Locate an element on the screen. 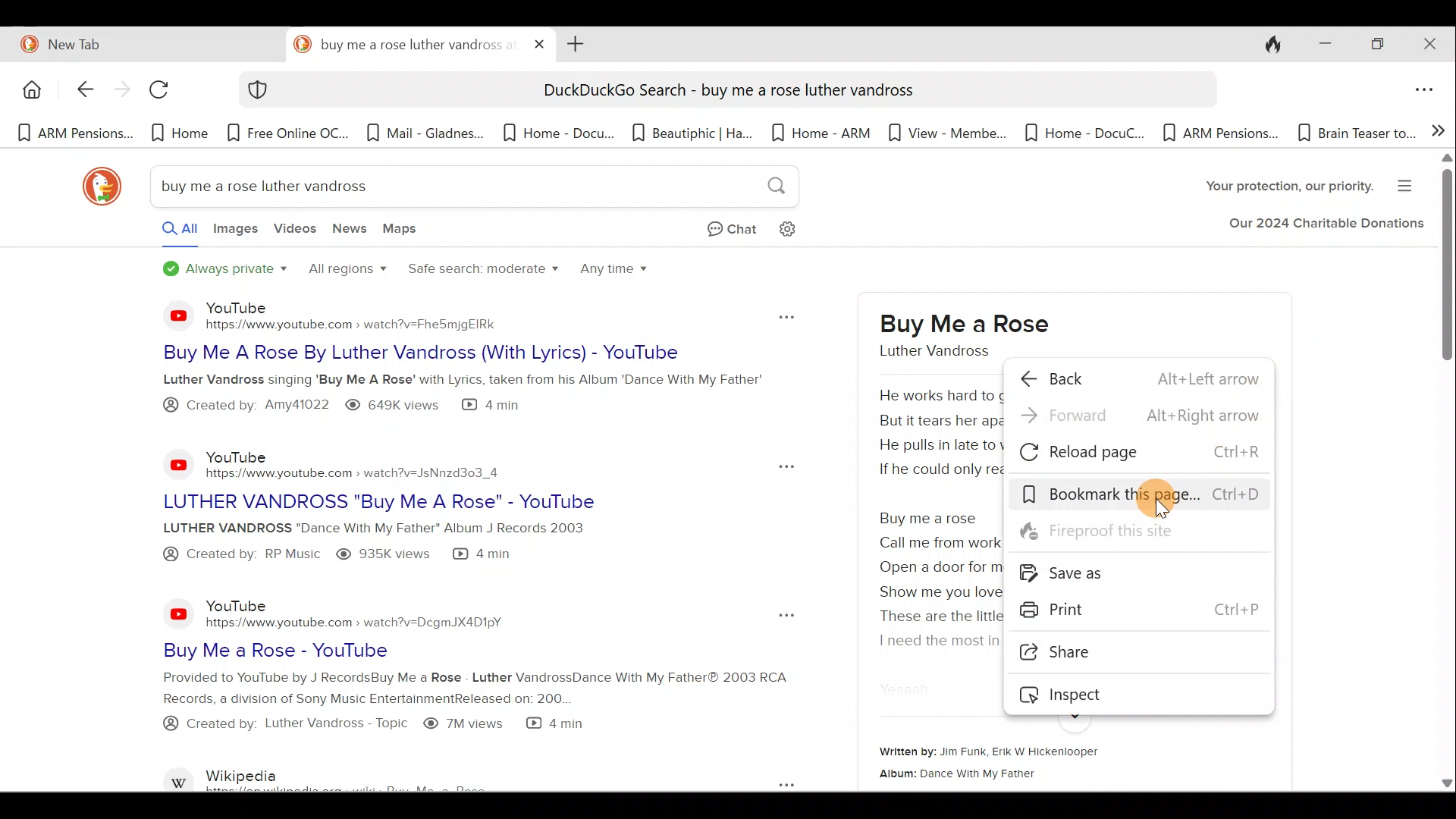 The image size is (1456, 819). Images is located at coordinates (234, 233).